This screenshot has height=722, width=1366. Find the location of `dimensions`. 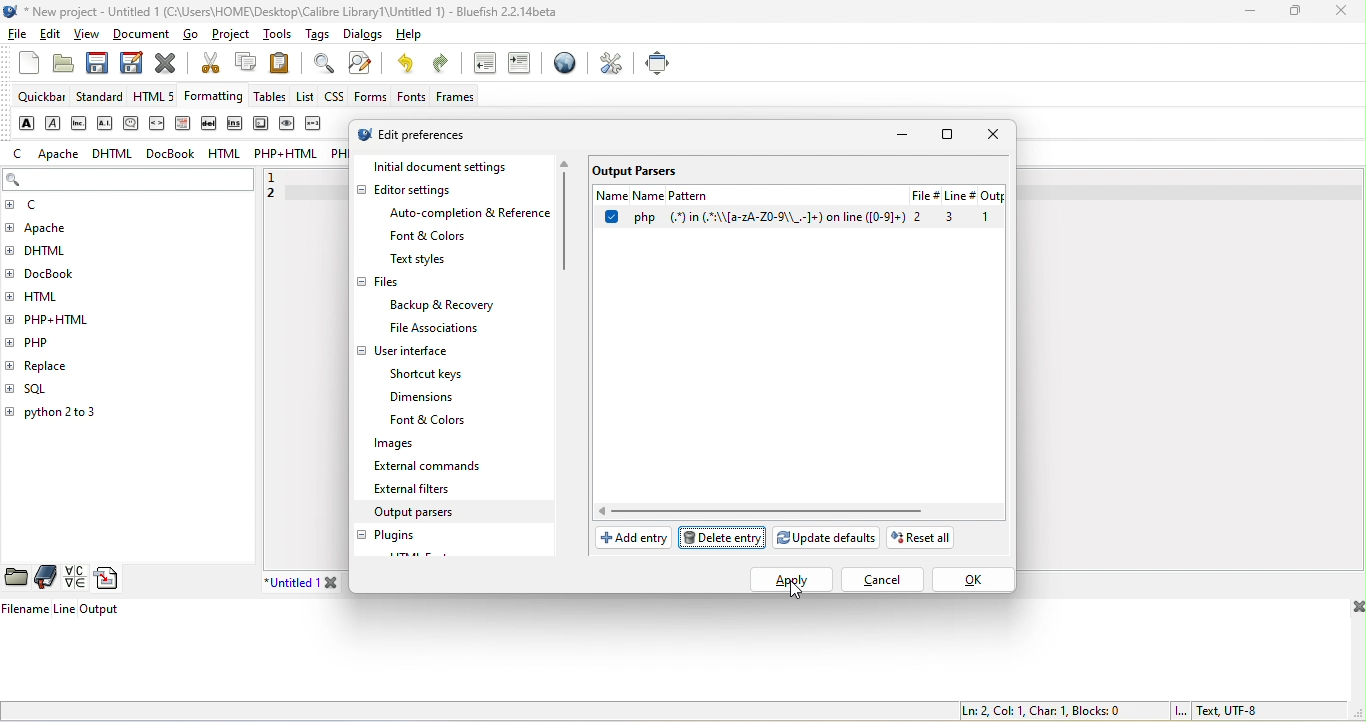

dimensions is located at coordinates (426, 398).